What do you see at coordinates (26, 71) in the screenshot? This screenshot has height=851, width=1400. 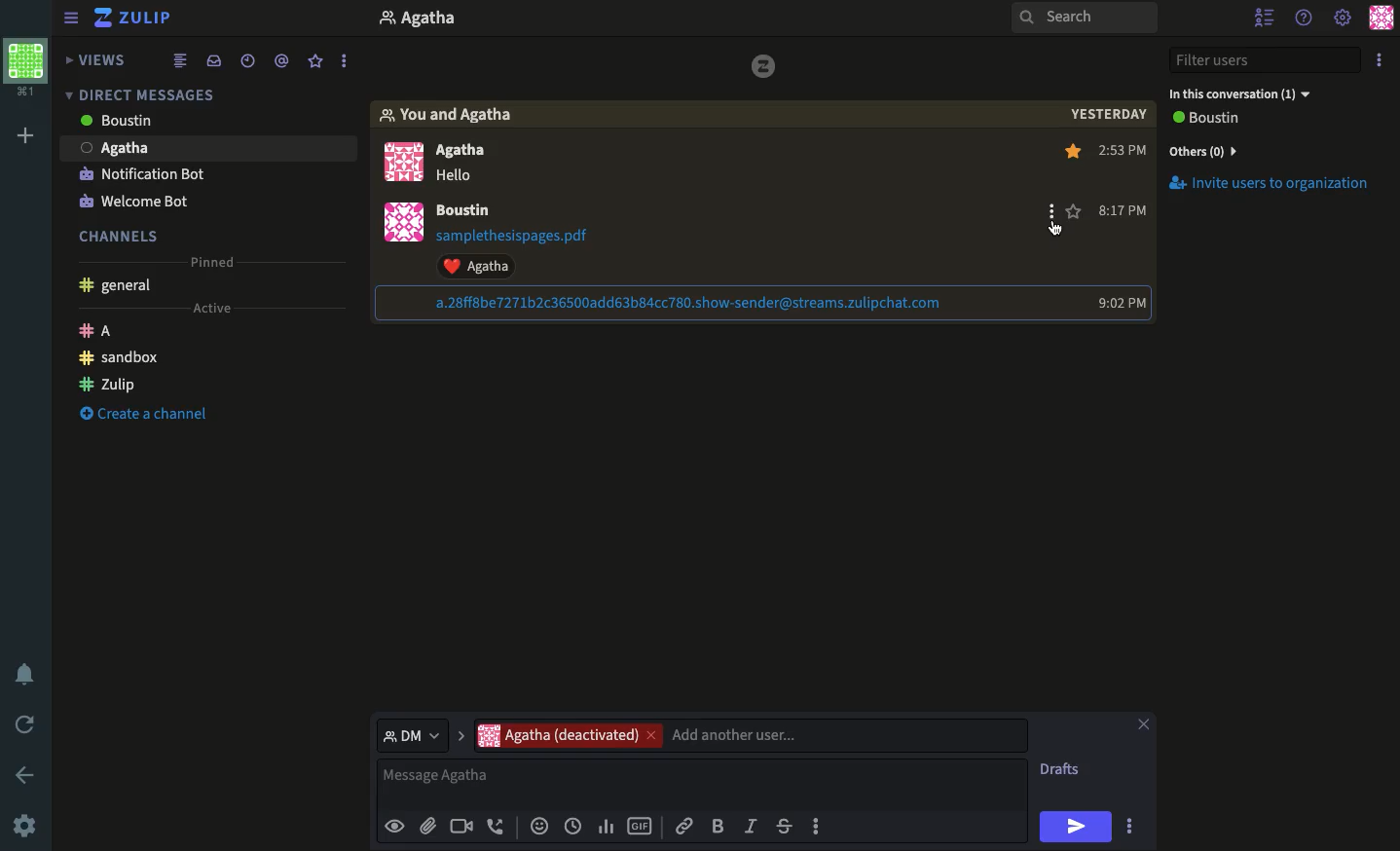 I see `Profile` at bounding box center [26, 71].